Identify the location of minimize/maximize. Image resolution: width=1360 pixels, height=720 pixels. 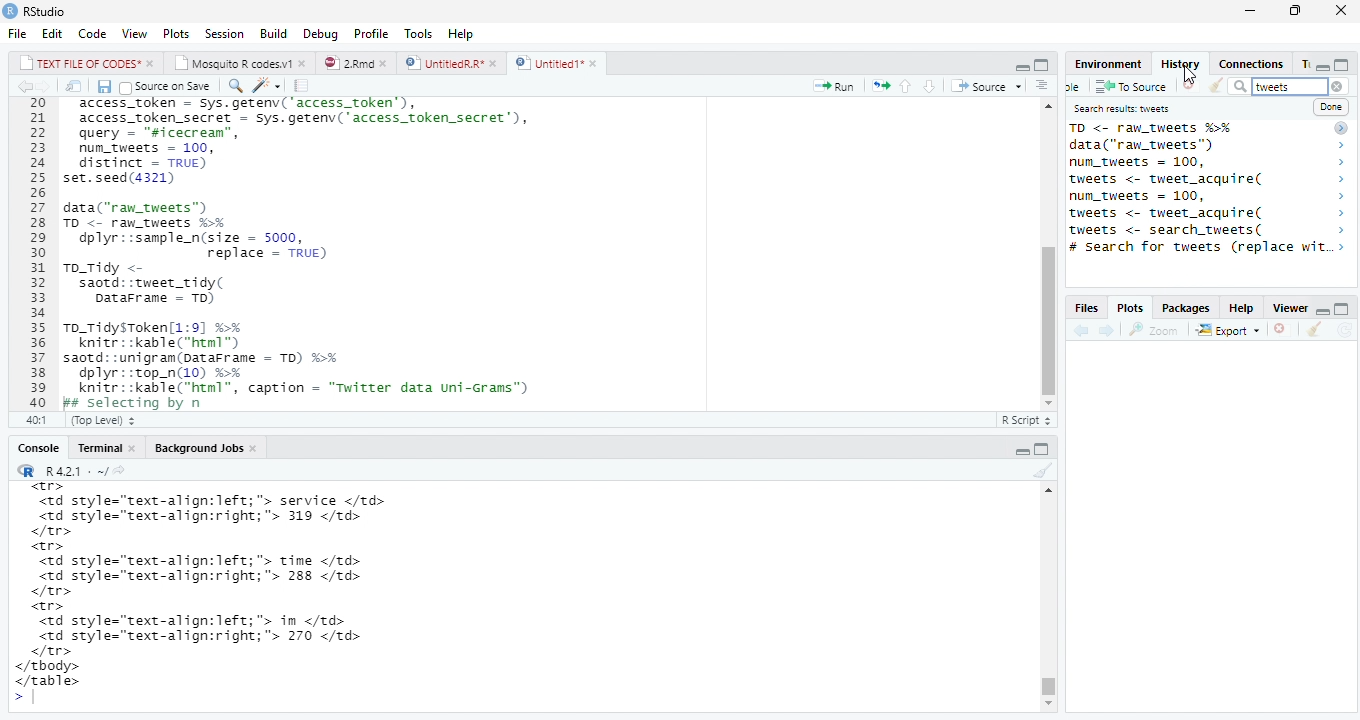
(1336, 306).